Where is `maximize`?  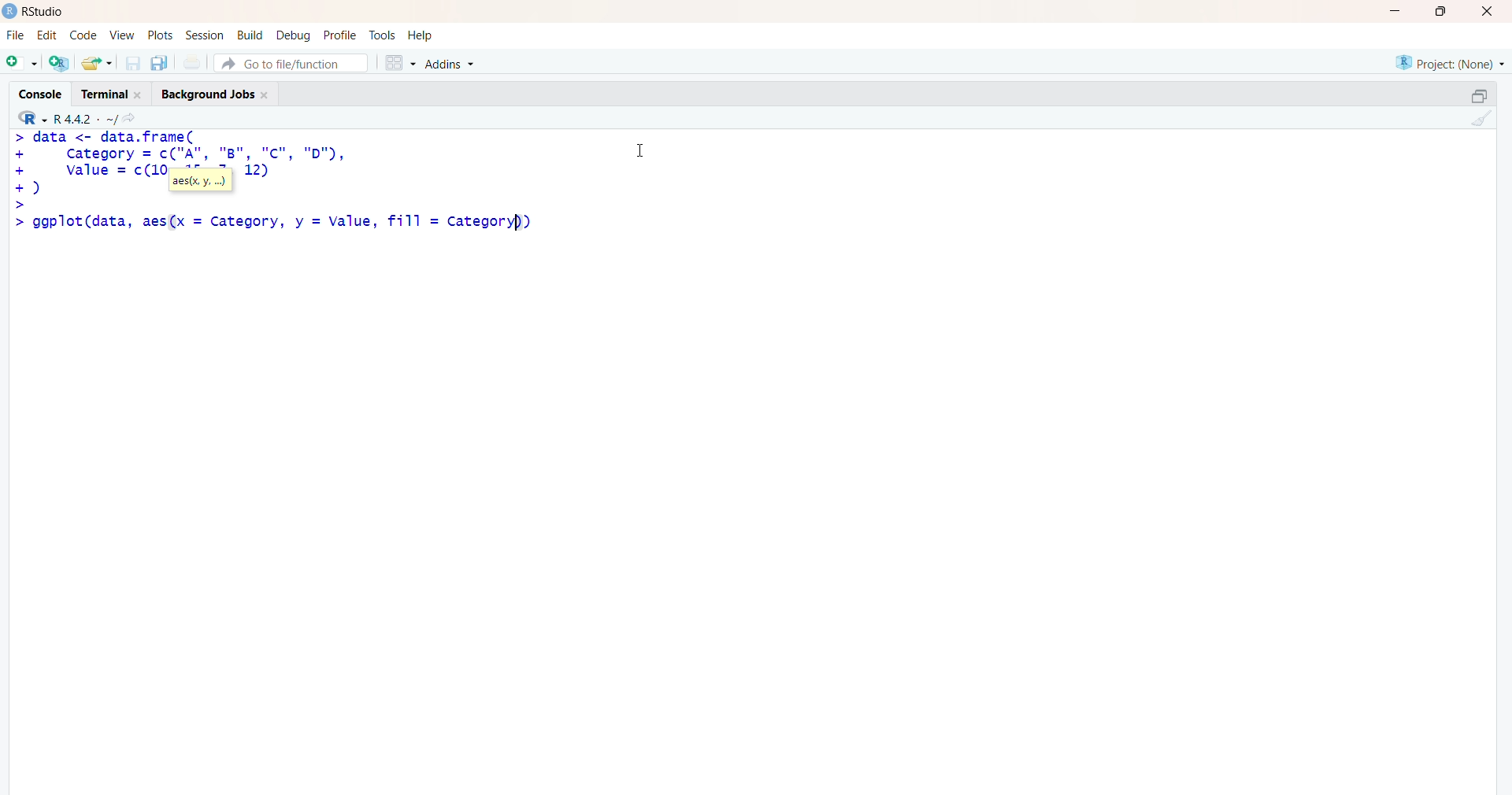
maximize is located at coordinates (1479, 96).